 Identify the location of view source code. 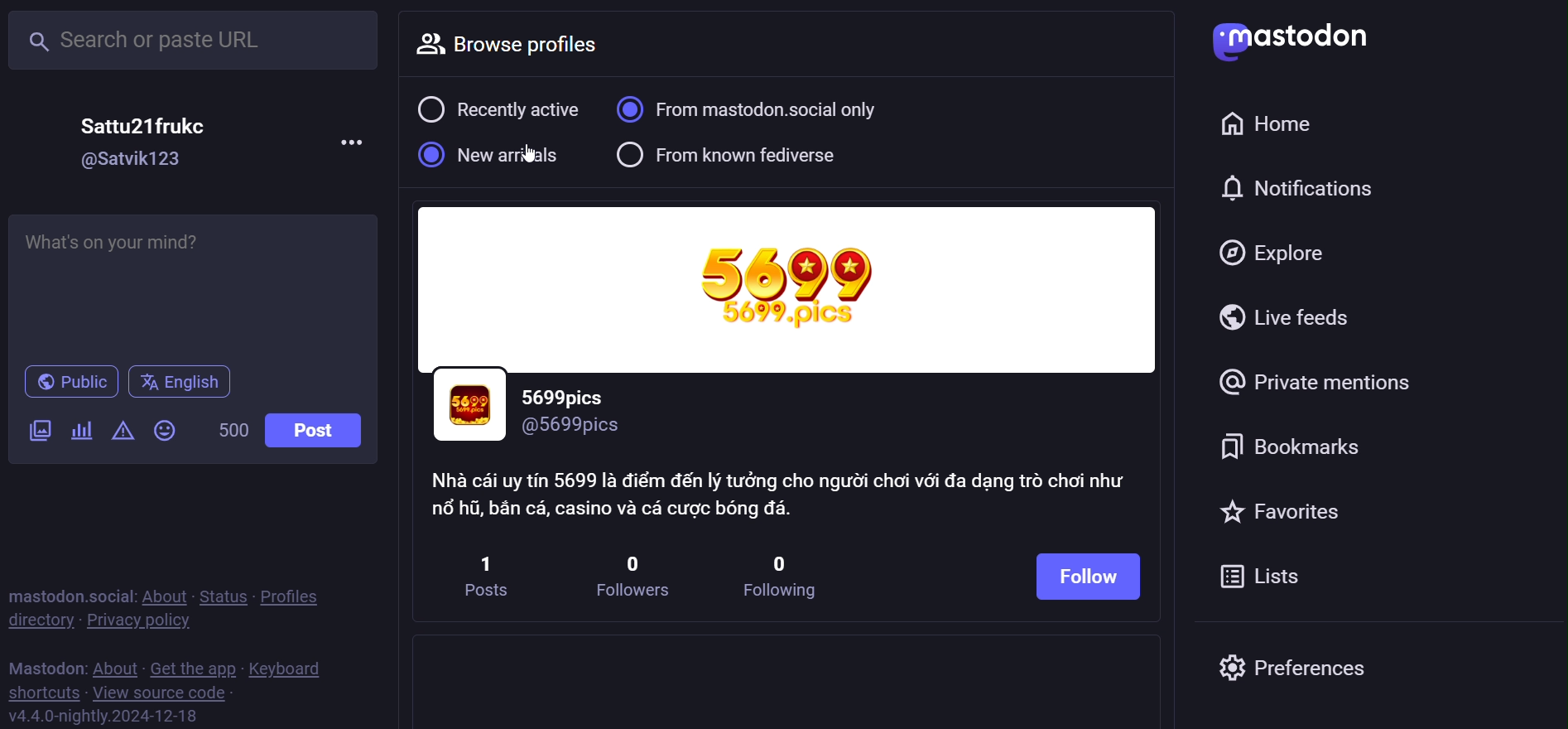
(164, 693).